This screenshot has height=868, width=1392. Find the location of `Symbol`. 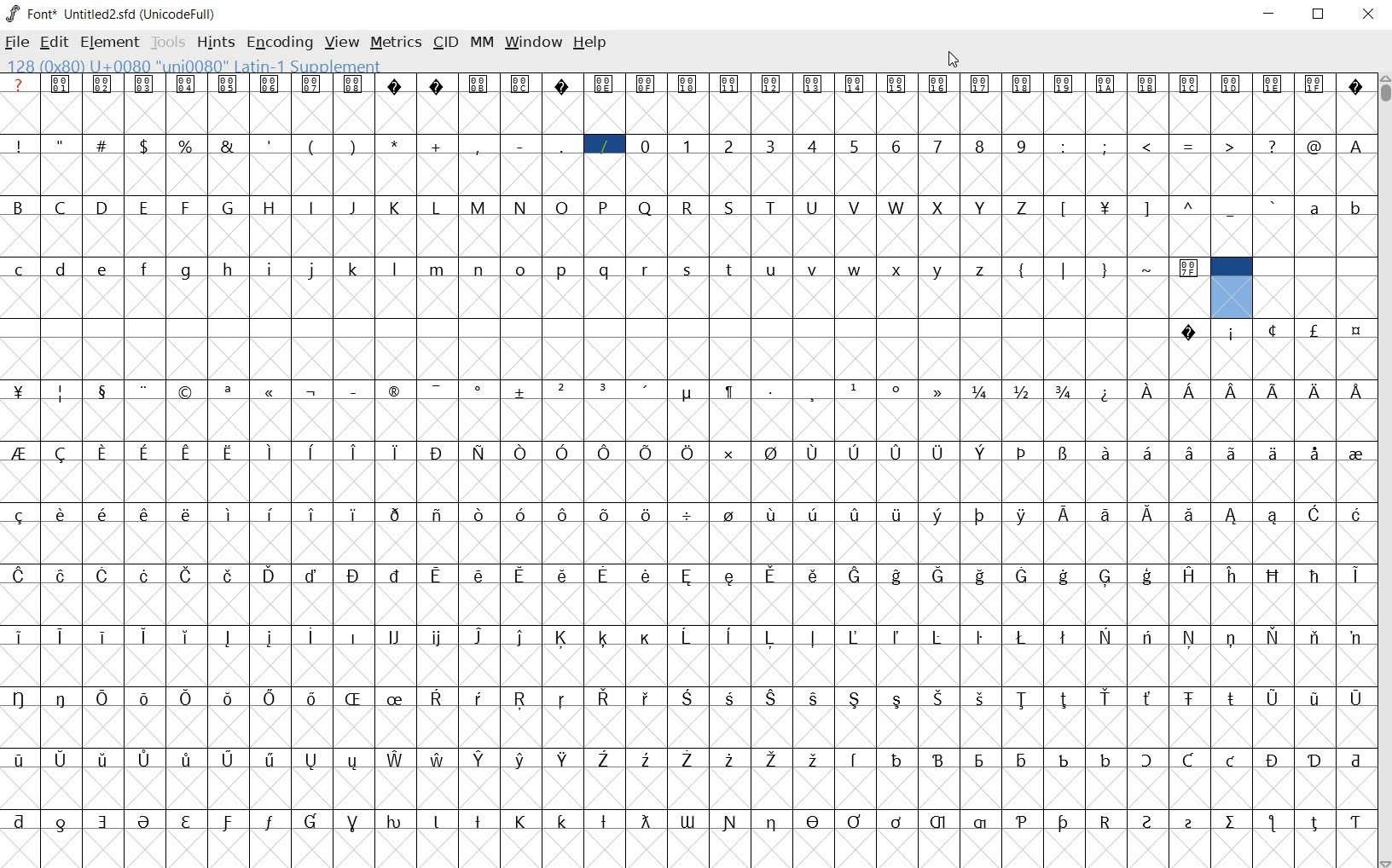

Symbol is located at coordinates (520, 636).